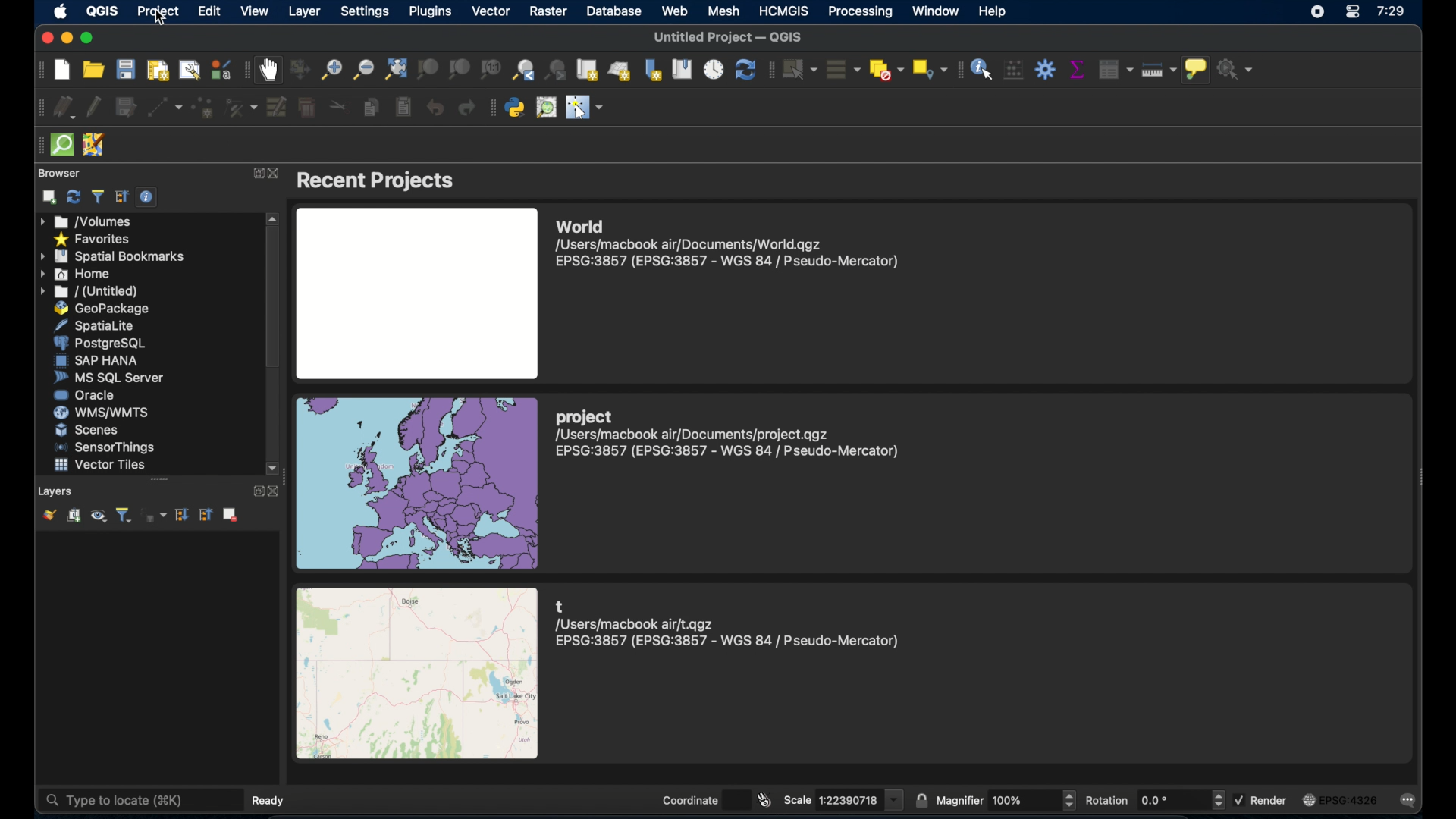 The height and width of the screenshot is (819, 1456). I want to click on show layout manager, so click(188, 69).